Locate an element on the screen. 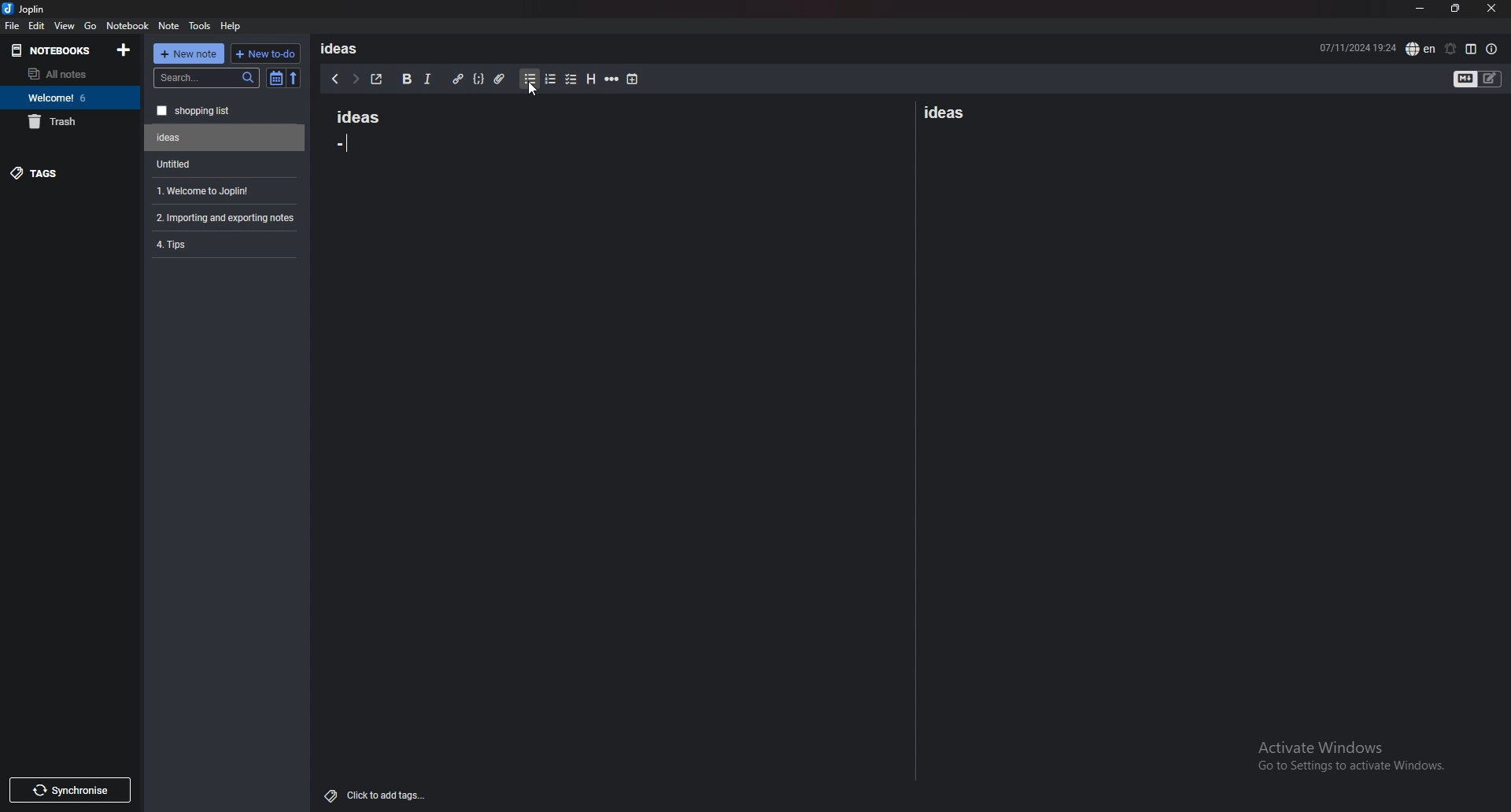  notebook is located at coordinates (127, 24).